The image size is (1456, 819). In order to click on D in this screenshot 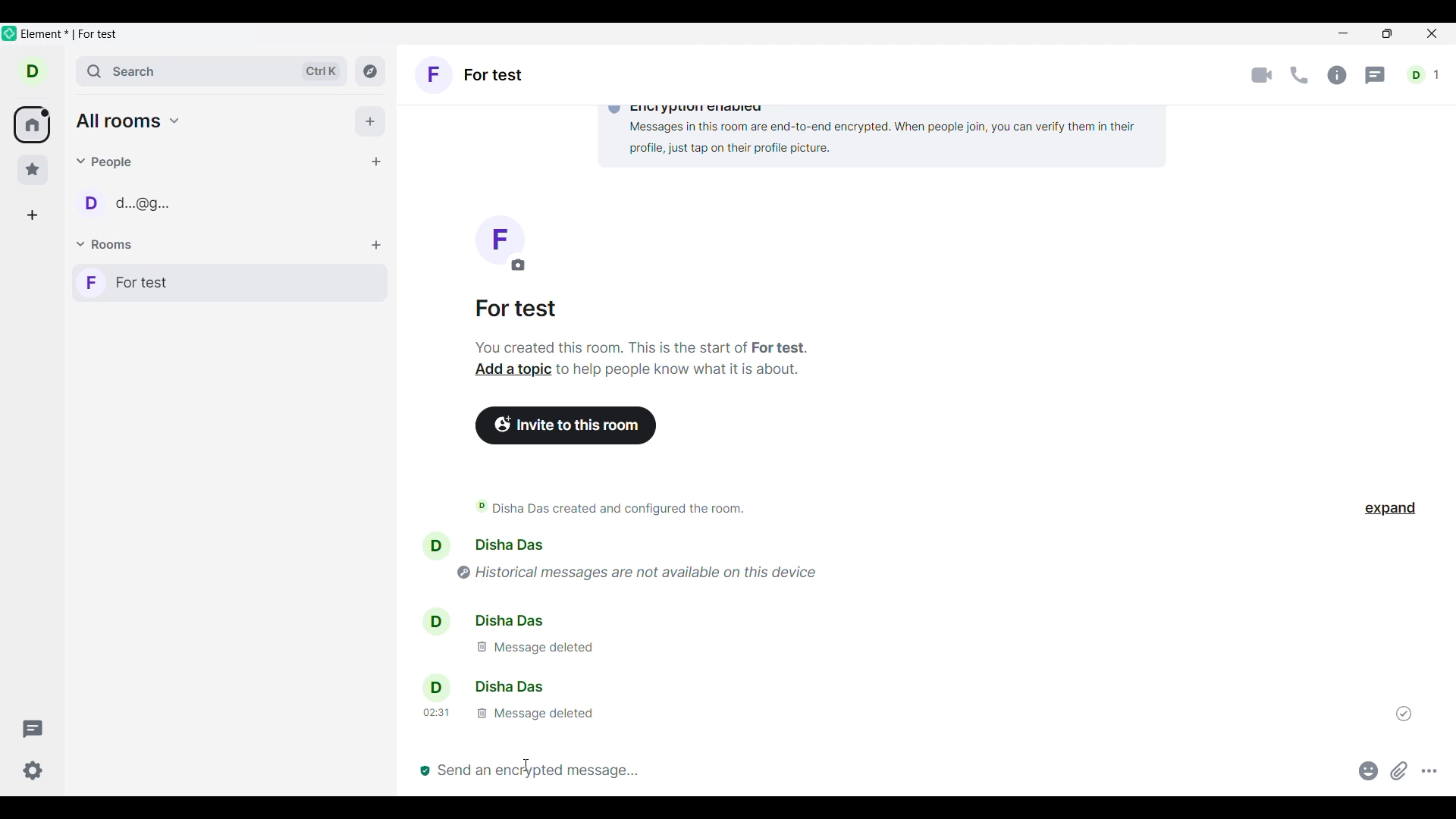, I will do `click(38, 76)`.